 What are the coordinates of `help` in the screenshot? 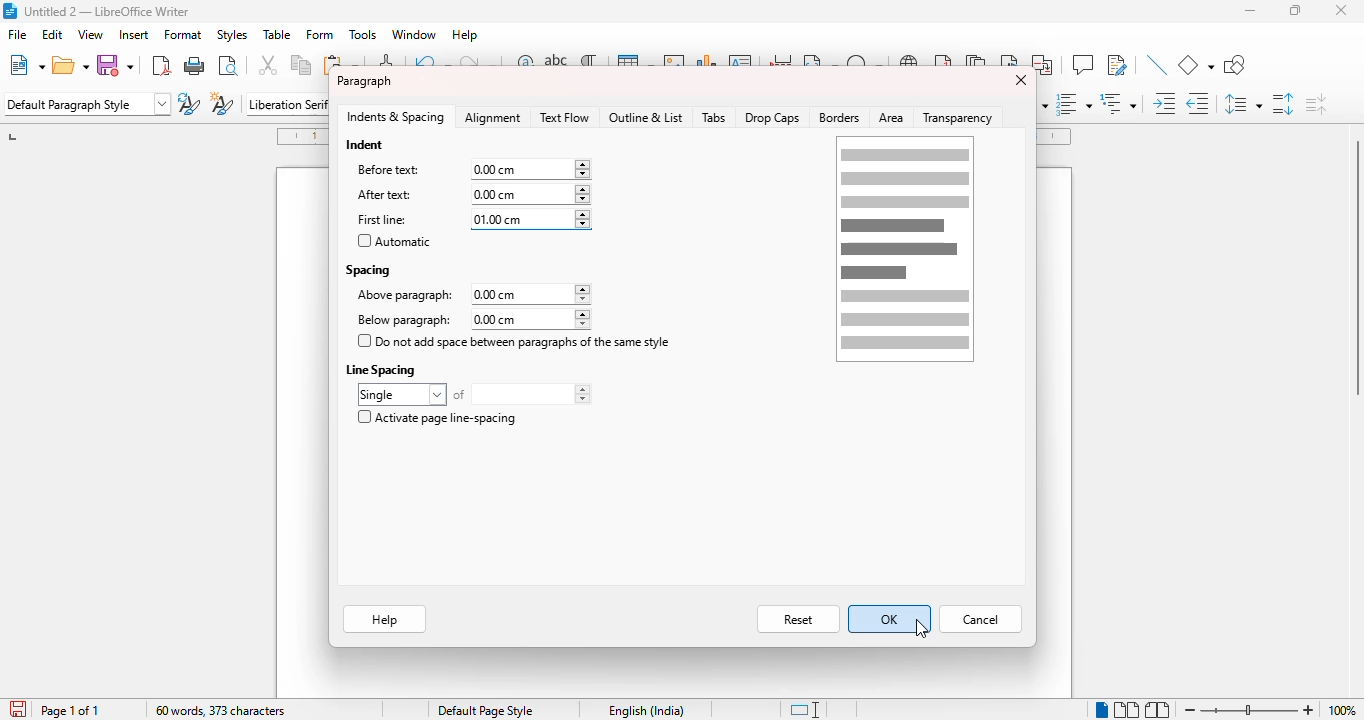 It's located at (466, 35).